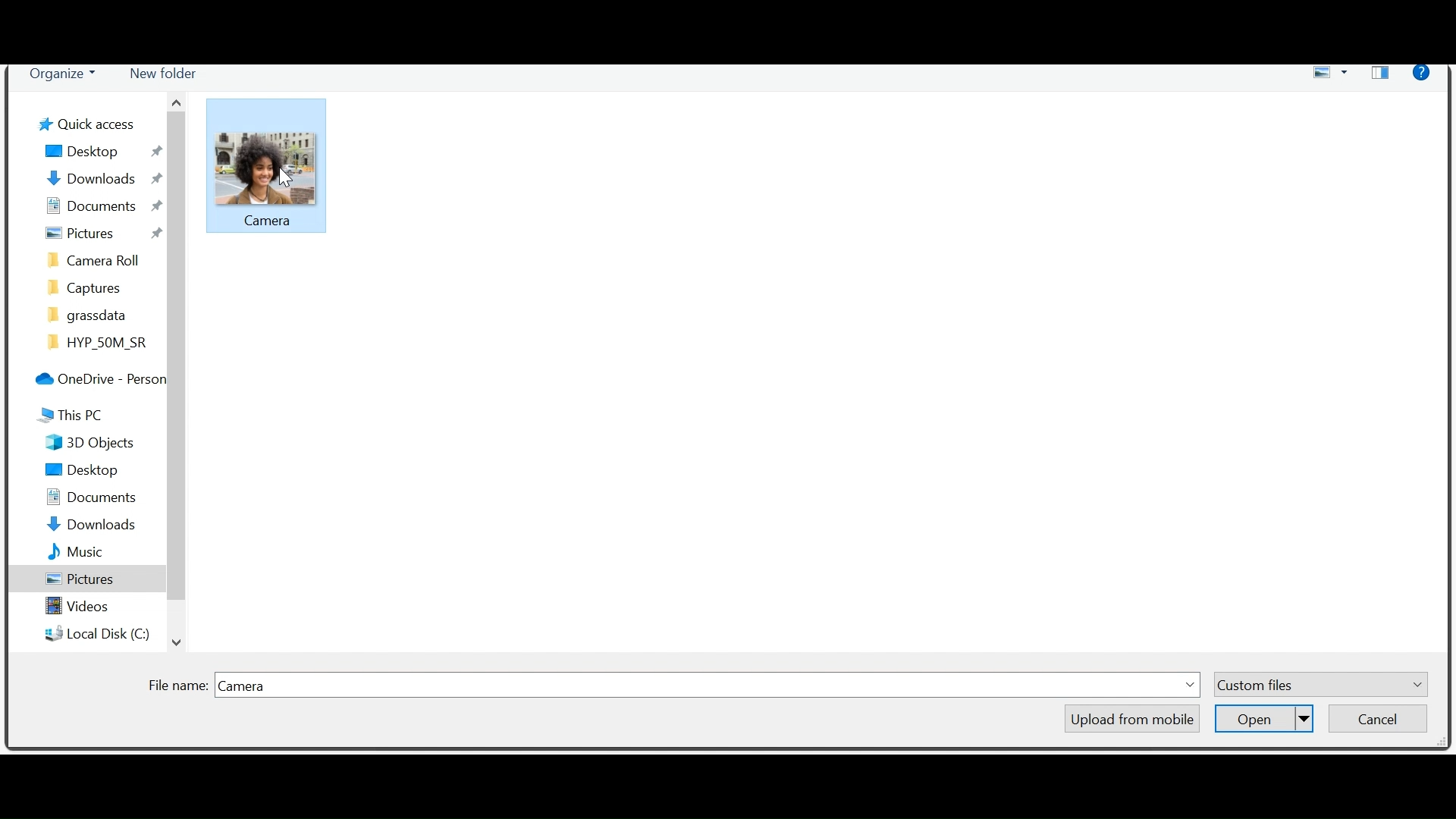 Image resolution: width=1456 pixels, height=819 pixels. Describe the element at coordinates (1376, 74) in the screenshot. I see `Show your preview pane` at that location.